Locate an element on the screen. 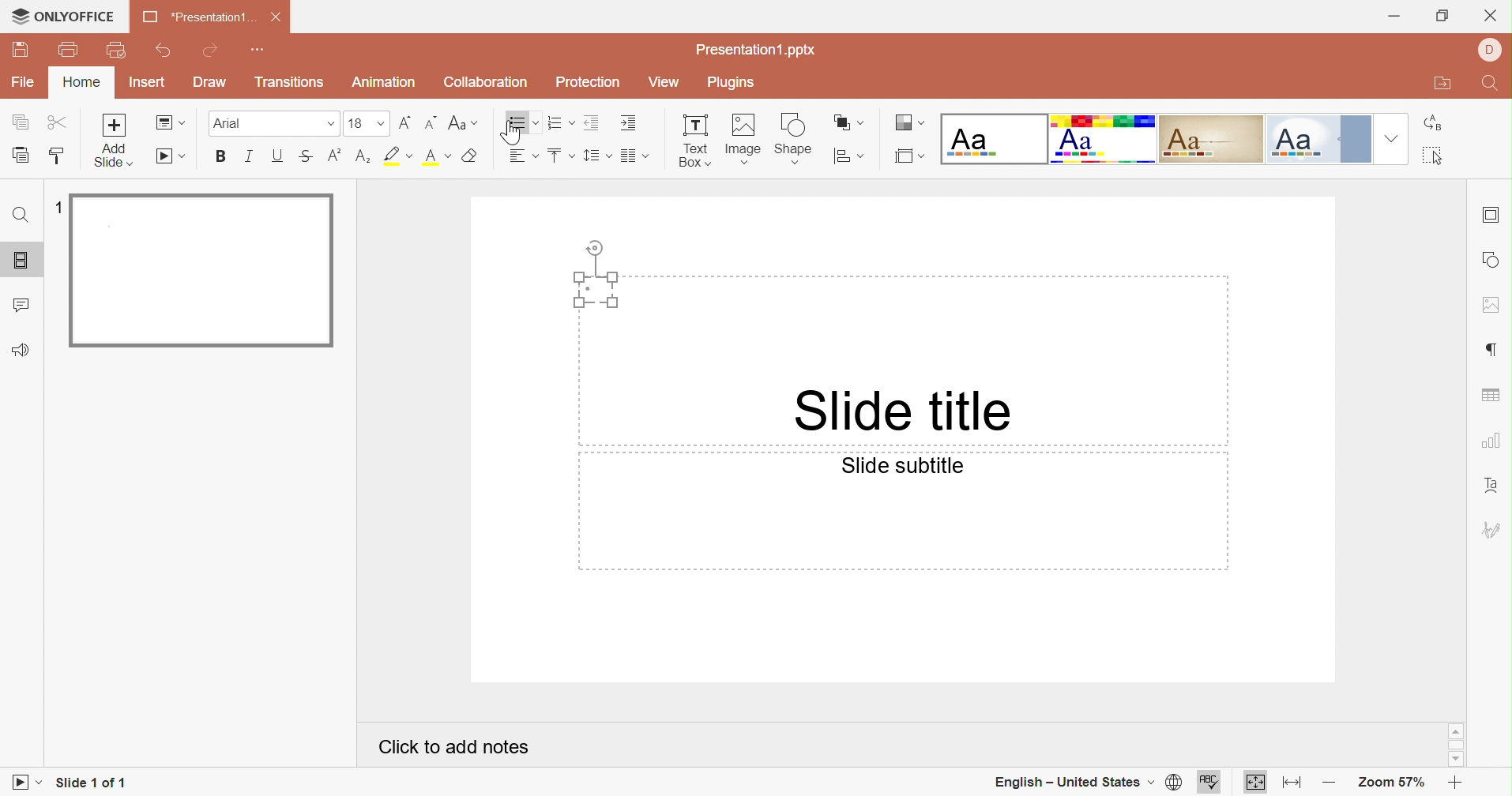 The image size is (1512, 796). Quick Print is located at coordinates (116, 52).